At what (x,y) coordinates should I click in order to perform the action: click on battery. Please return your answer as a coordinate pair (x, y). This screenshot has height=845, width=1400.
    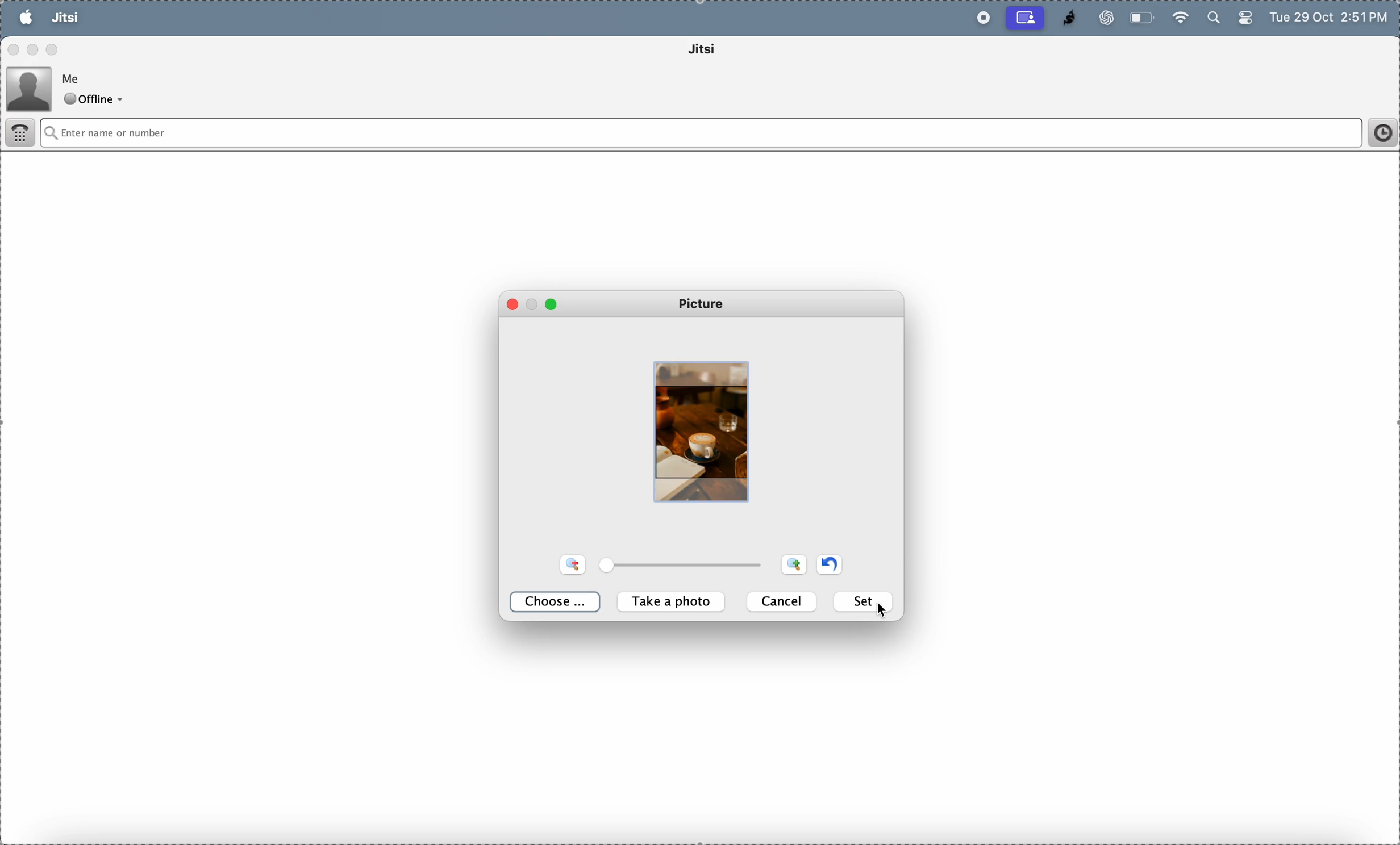
    Looking at the image, I should click on (1244, 20).